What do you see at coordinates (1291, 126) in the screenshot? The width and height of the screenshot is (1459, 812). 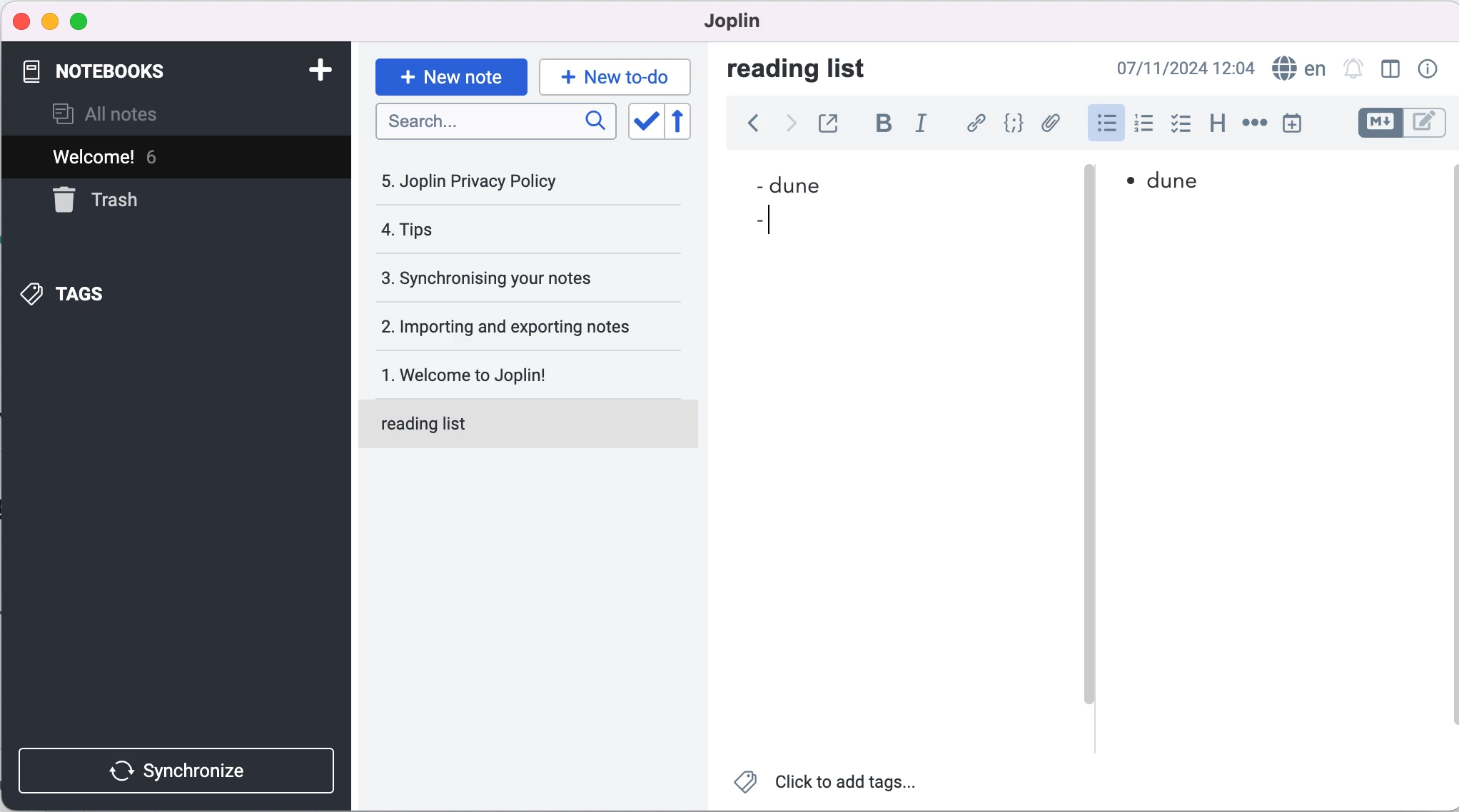 I see `insert time` at bounding box center [1291, 126].